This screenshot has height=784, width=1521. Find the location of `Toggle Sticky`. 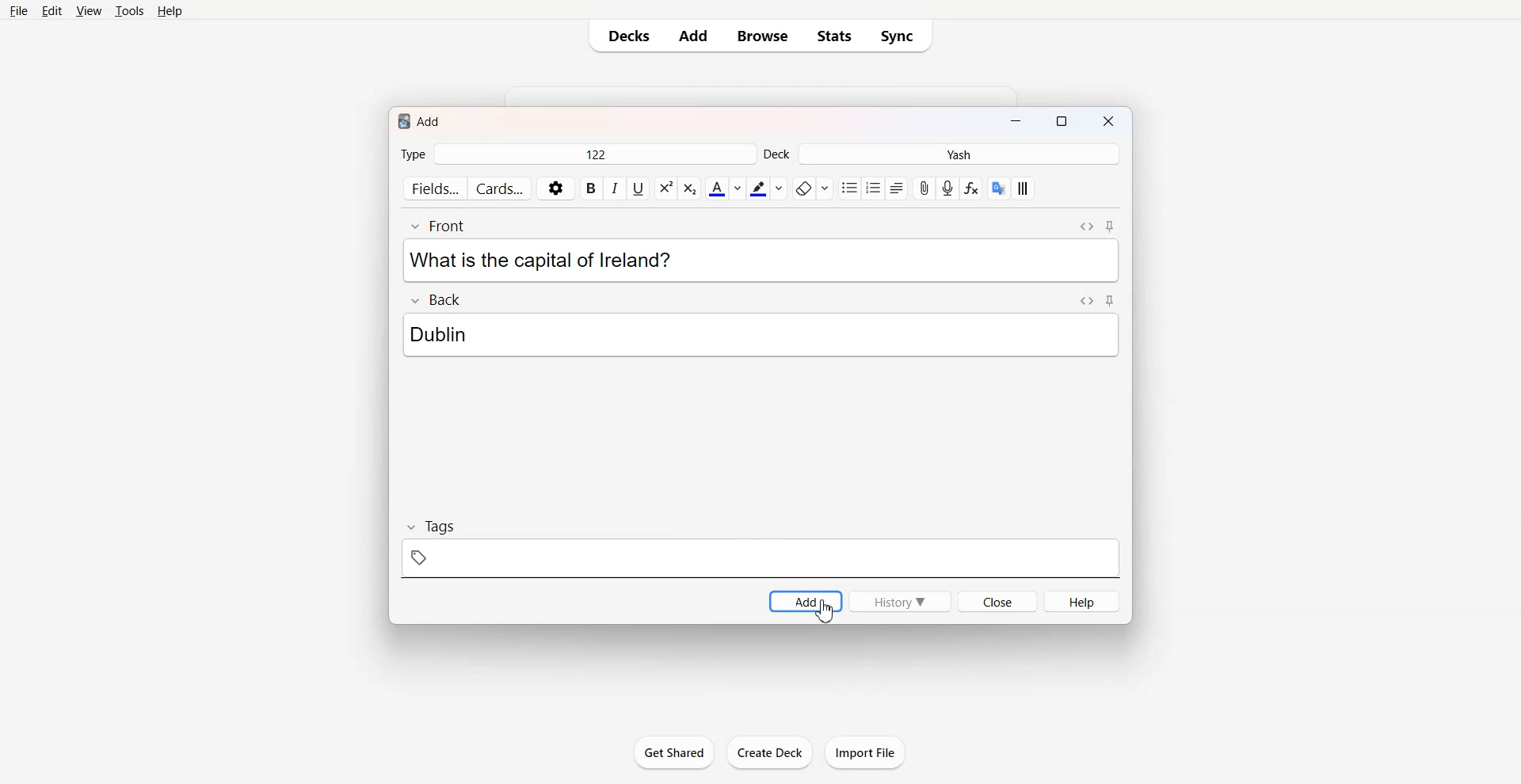

Toggle Sticky is located at coordinates (1111, 300).